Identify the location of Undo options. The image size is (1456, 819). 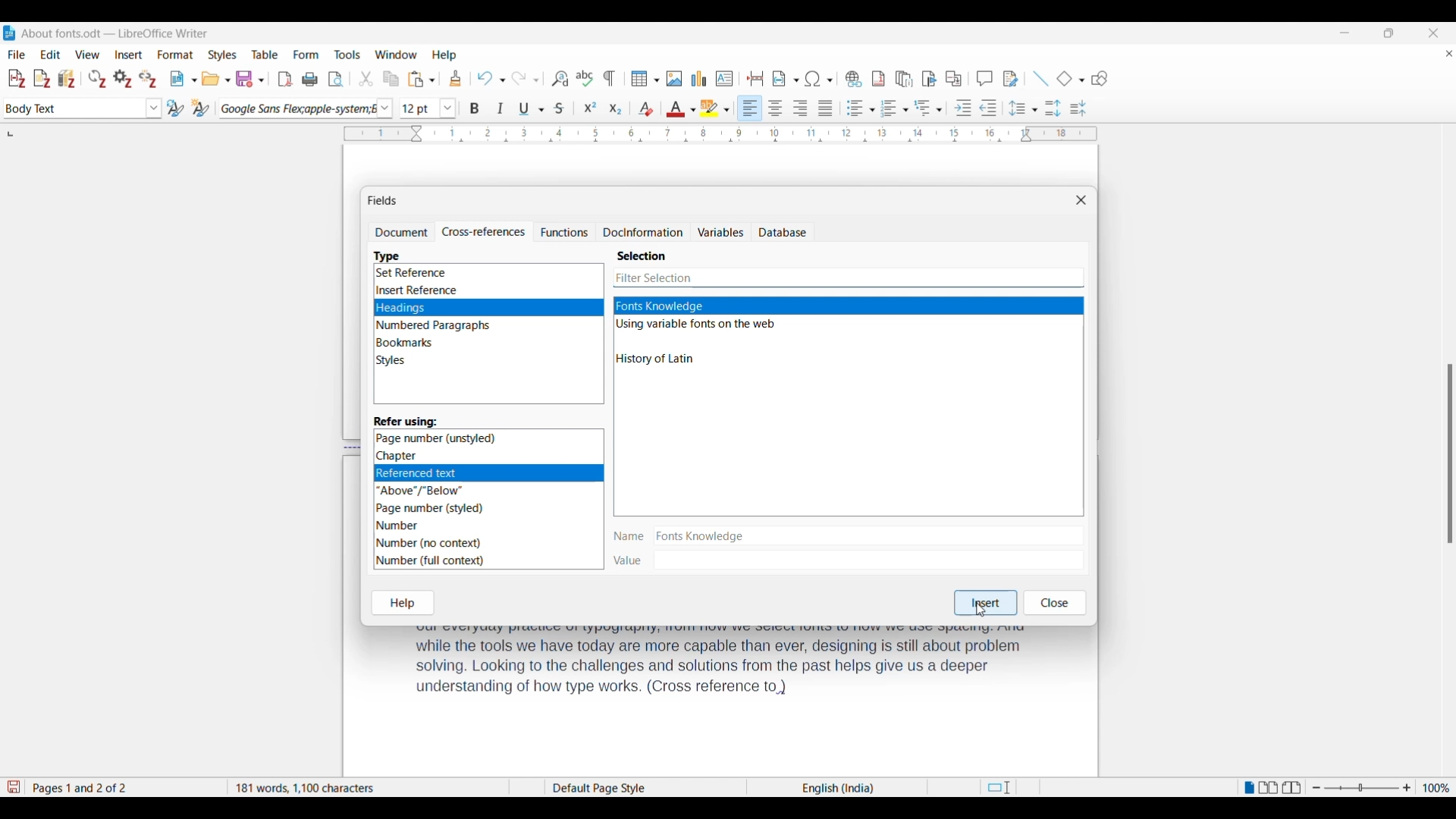
(491, 79).